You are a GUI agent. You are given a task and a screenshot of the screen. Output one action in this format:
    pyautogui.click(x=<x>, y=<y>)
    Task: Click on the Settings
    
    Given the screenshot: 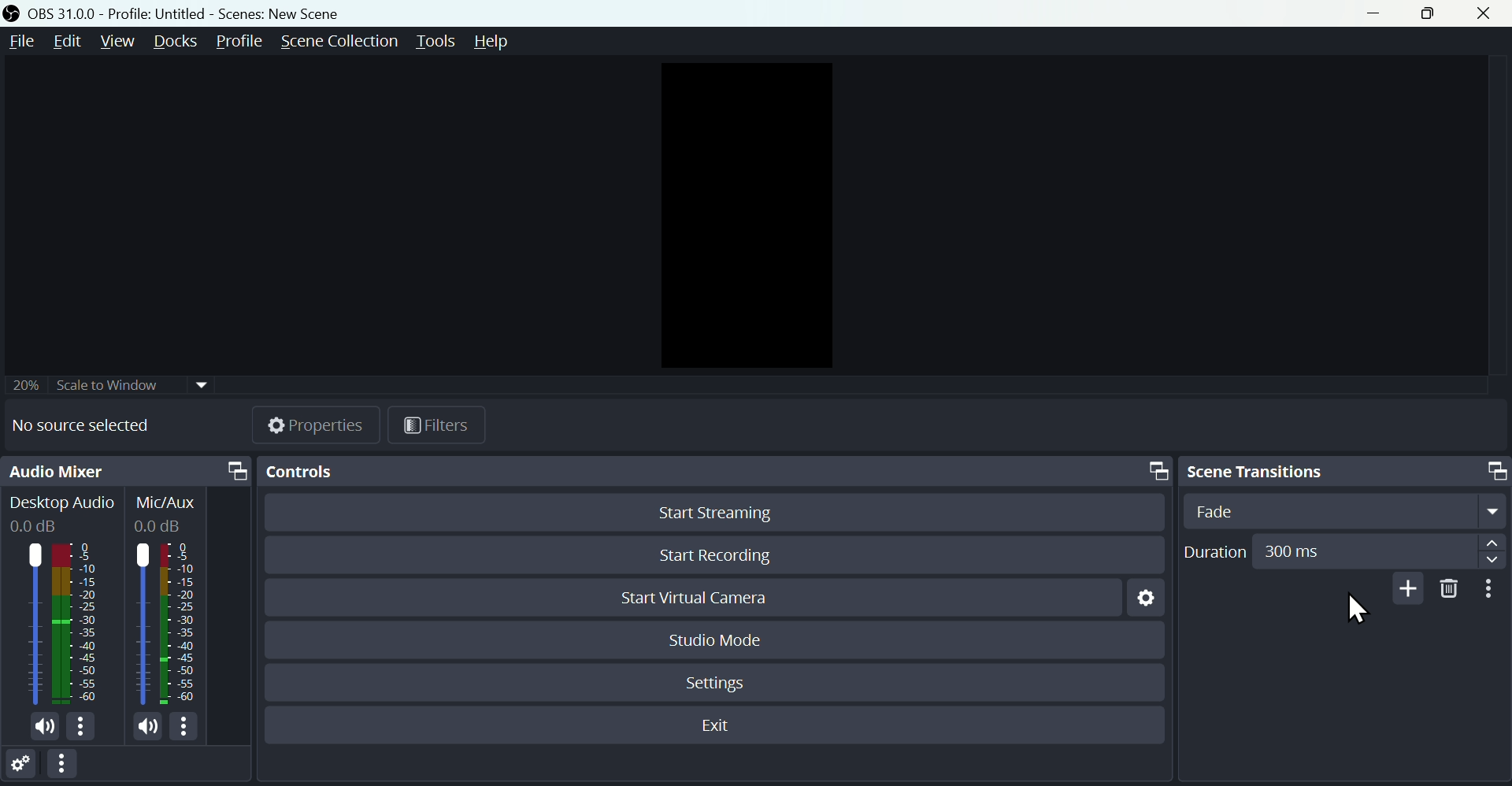 What is the action you would take?
    pyautogui.click(x=1143, y=596)
    